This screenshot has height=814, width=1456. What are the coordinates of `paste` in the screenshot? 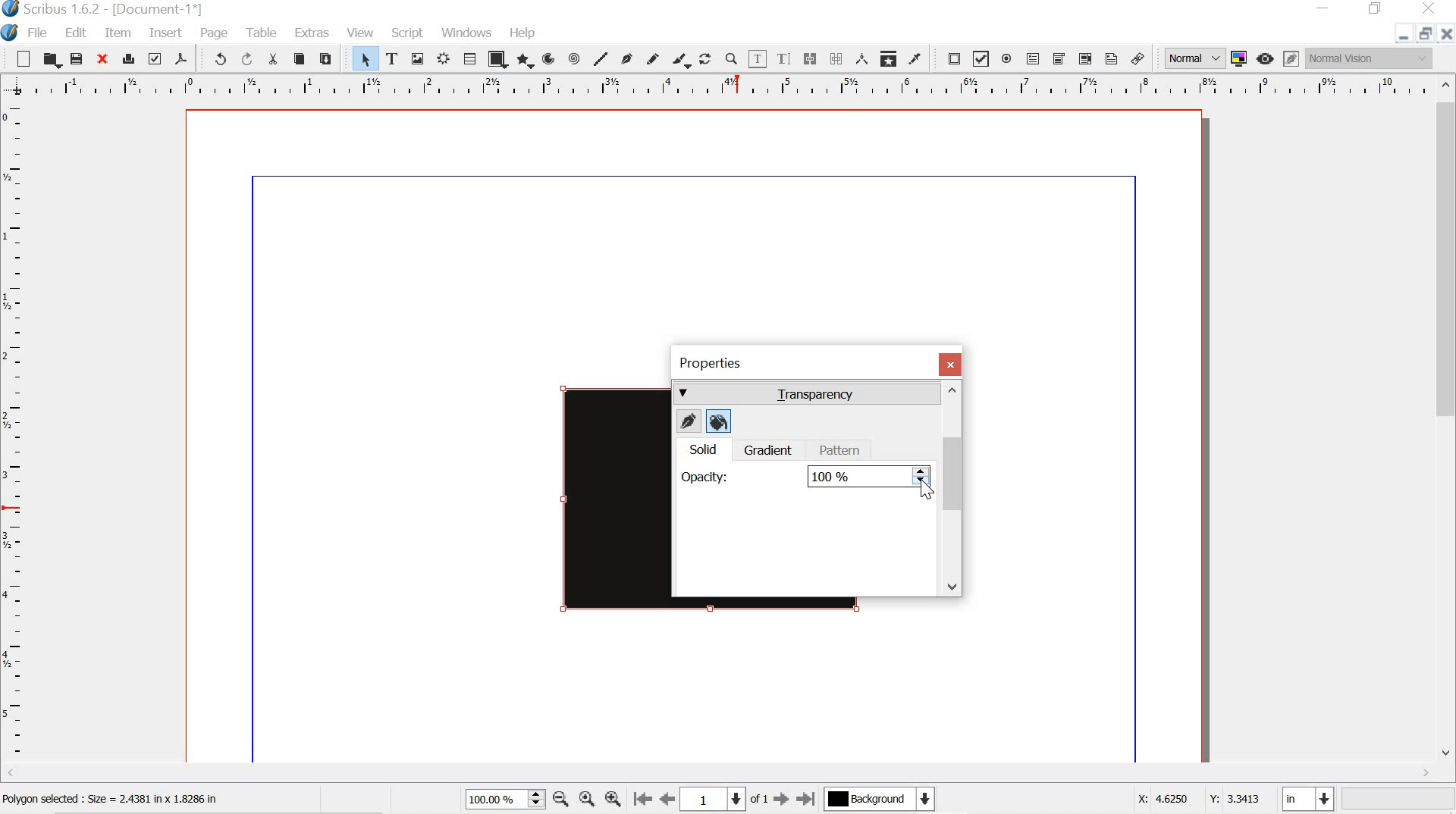 It's located at (331, 59).